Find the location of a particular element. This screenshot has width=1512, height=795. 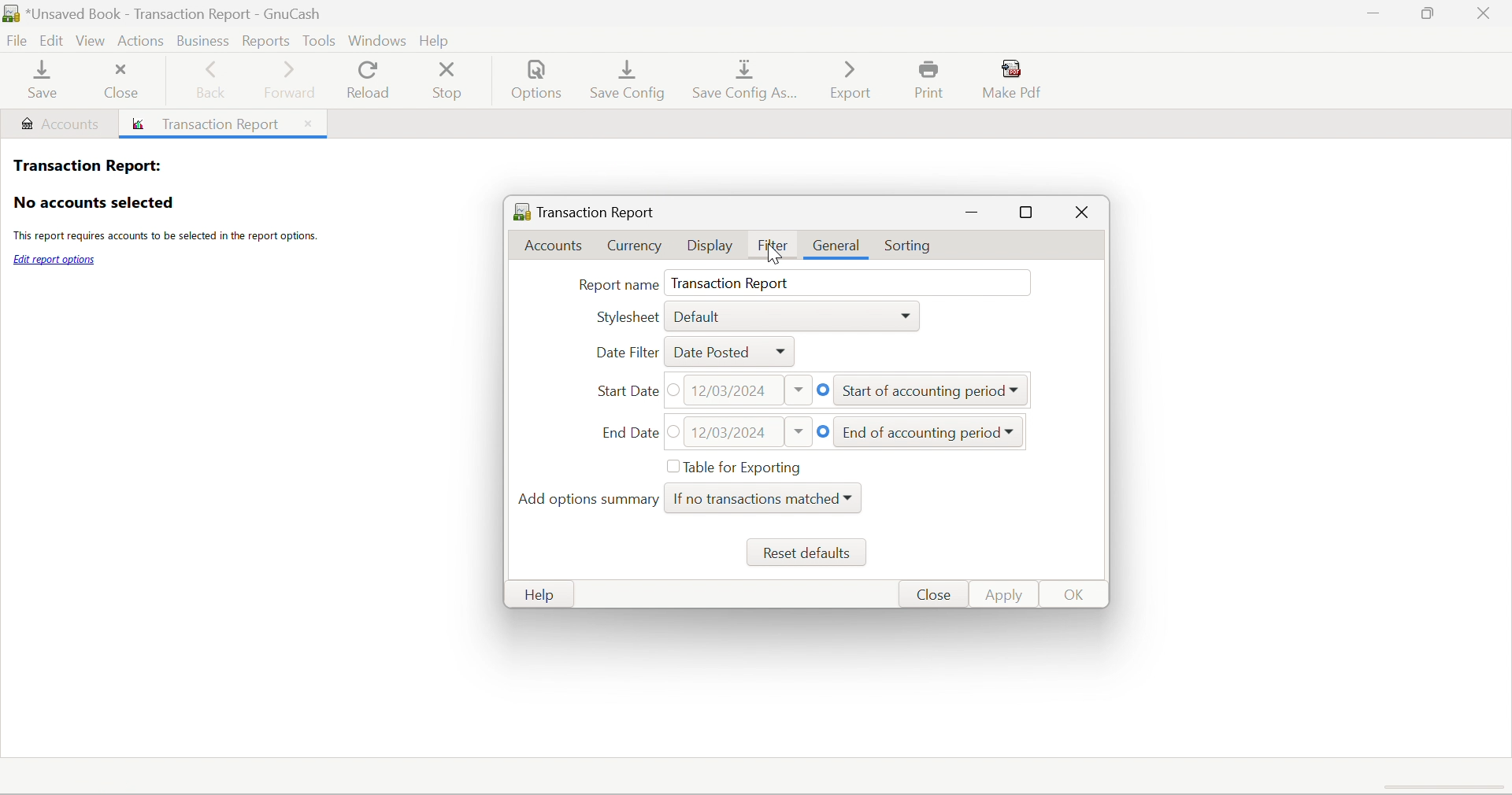

Reports is located at coordinates (268, 40).